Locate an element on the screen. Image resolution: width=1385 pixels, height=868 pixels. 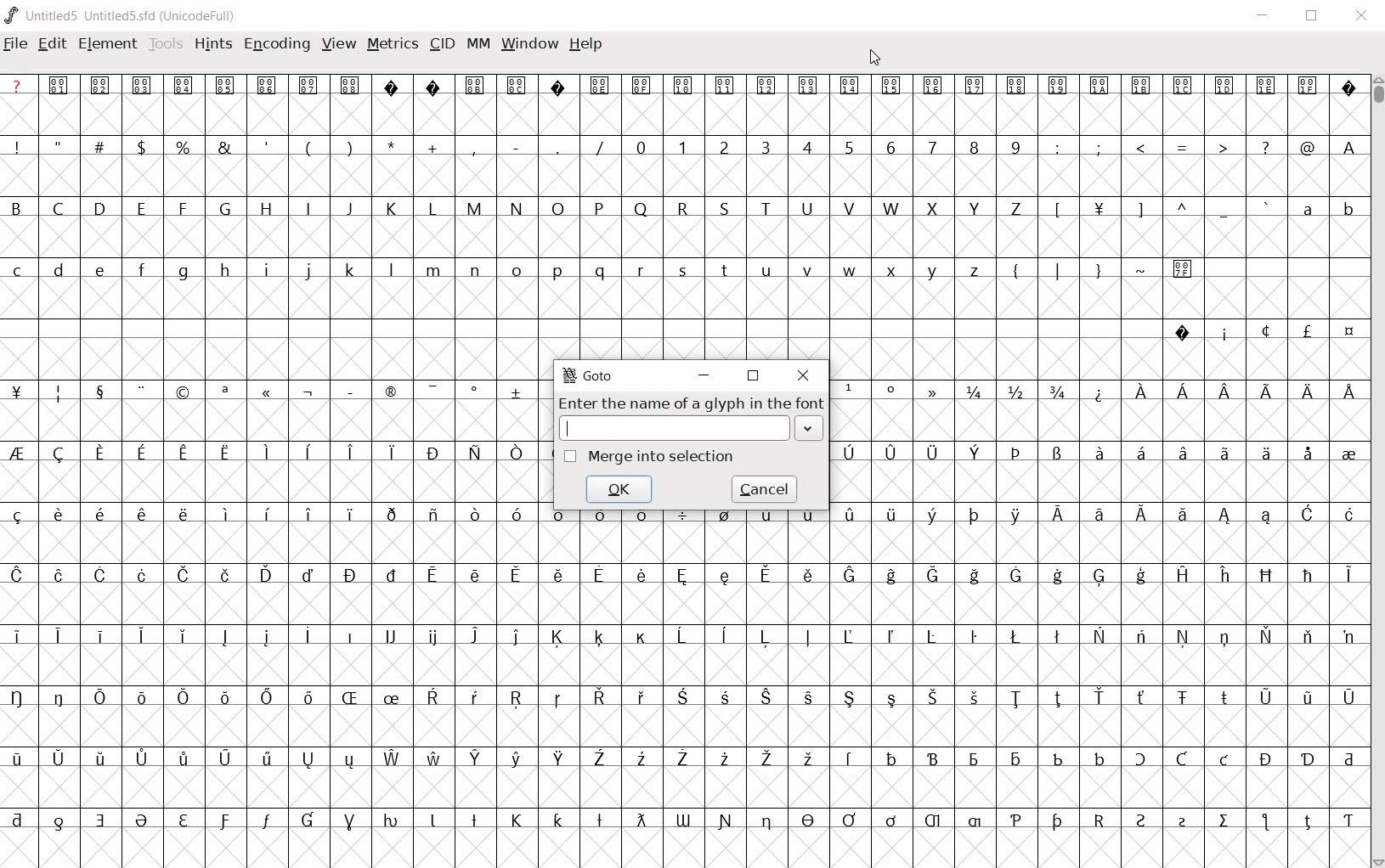
Symbol is located at coordinates (726, 575).